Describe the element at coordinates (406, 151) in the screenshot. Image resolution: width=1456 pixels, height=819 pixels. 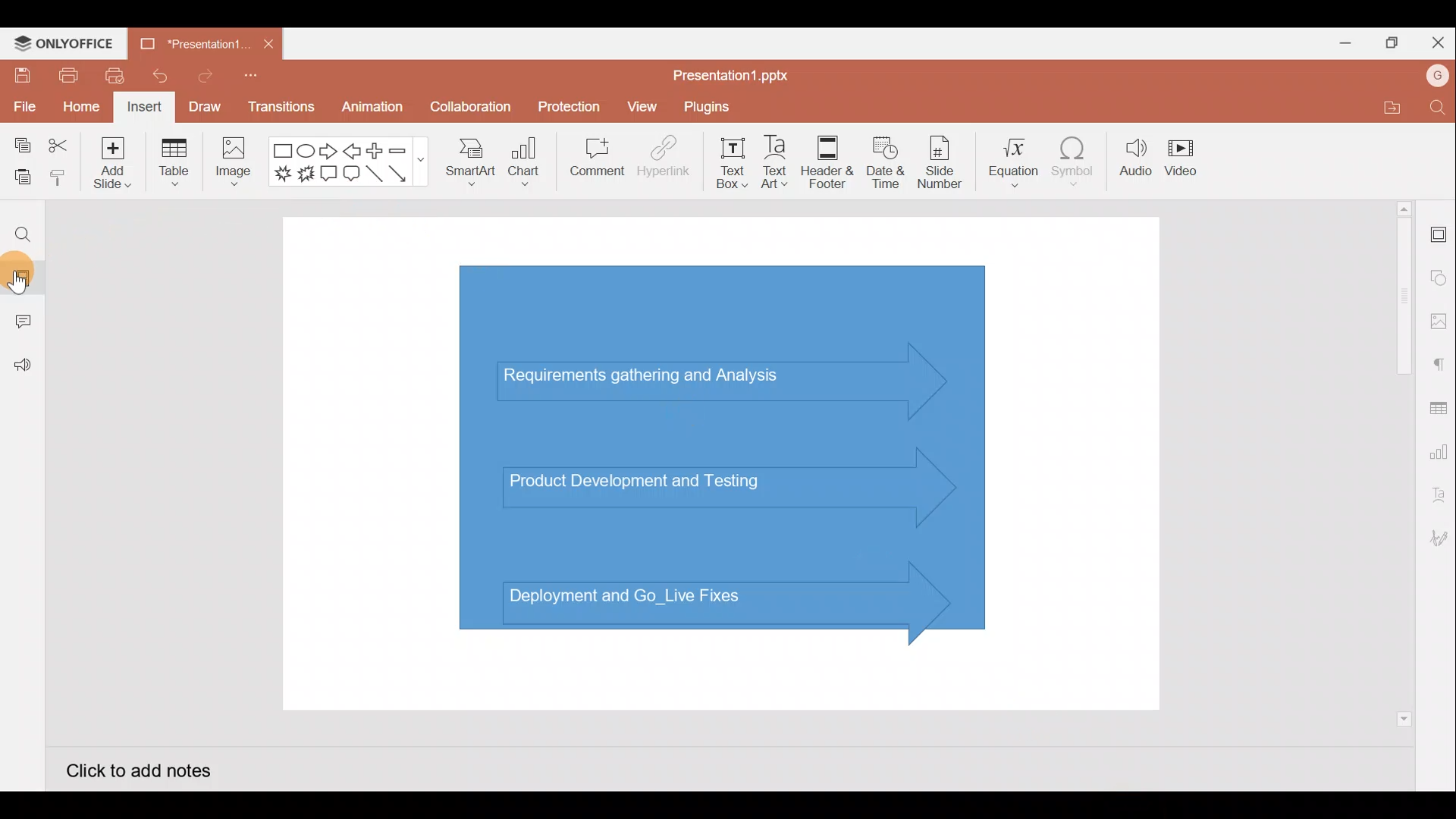
I see `Minus` at that location.